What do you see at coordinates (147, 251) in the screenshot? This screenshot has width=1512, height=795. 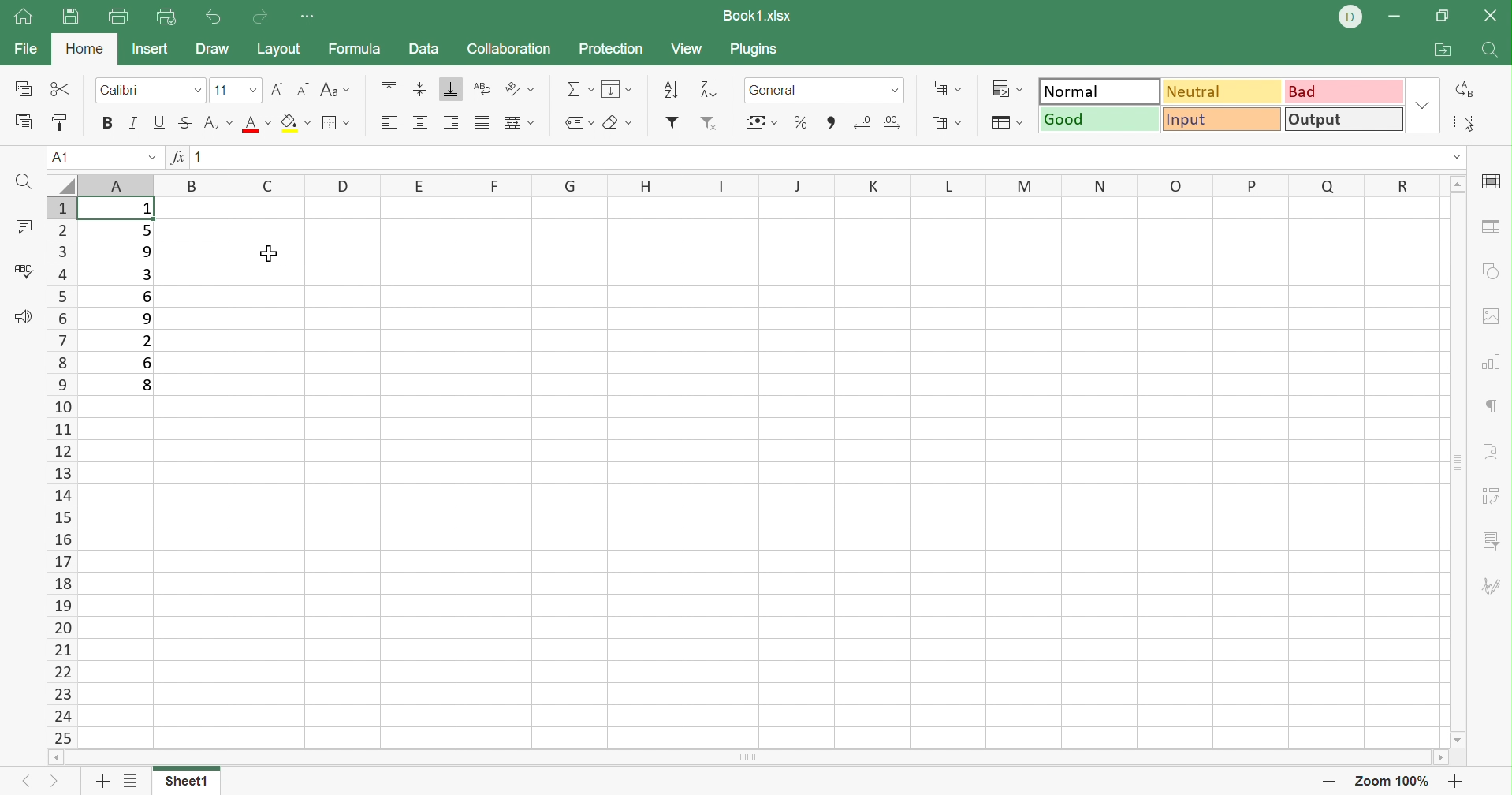 I see `9` at bounding box center [147, 251].